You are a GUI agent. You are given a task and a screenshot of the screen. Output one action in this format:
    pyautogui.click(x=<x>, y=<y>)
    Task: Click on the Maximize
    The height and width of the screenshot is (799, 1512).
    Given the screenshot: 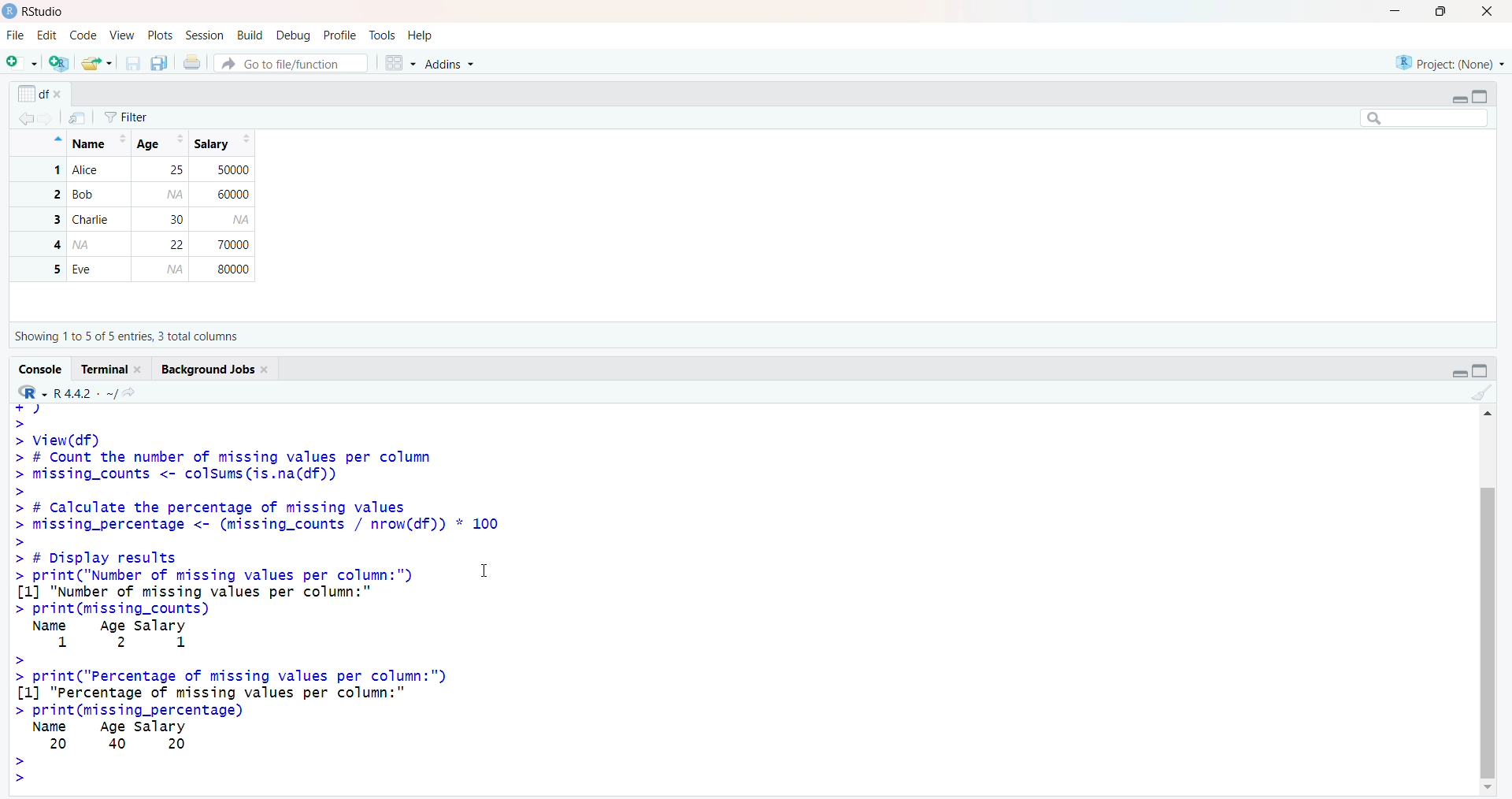 What is the action you would take?
    pyautogui.click(x=1484, y=97)
    